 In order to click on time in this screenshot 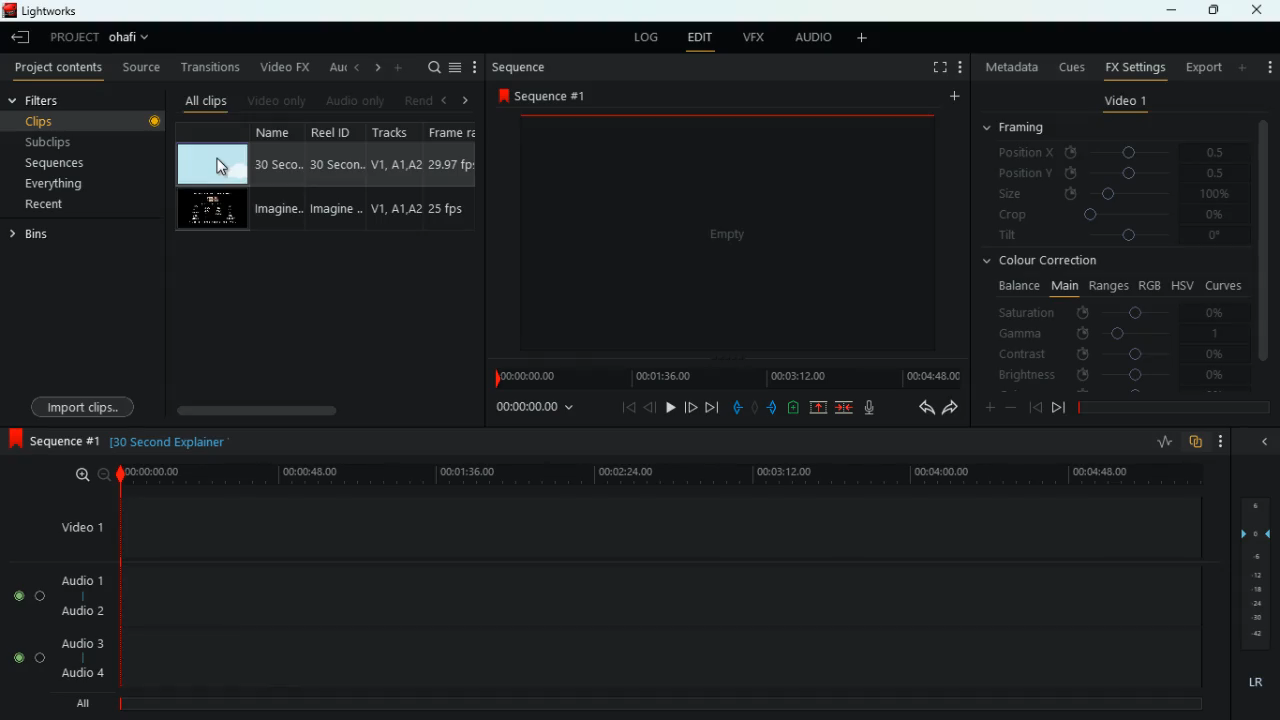, I will do `click(724, 378)`.